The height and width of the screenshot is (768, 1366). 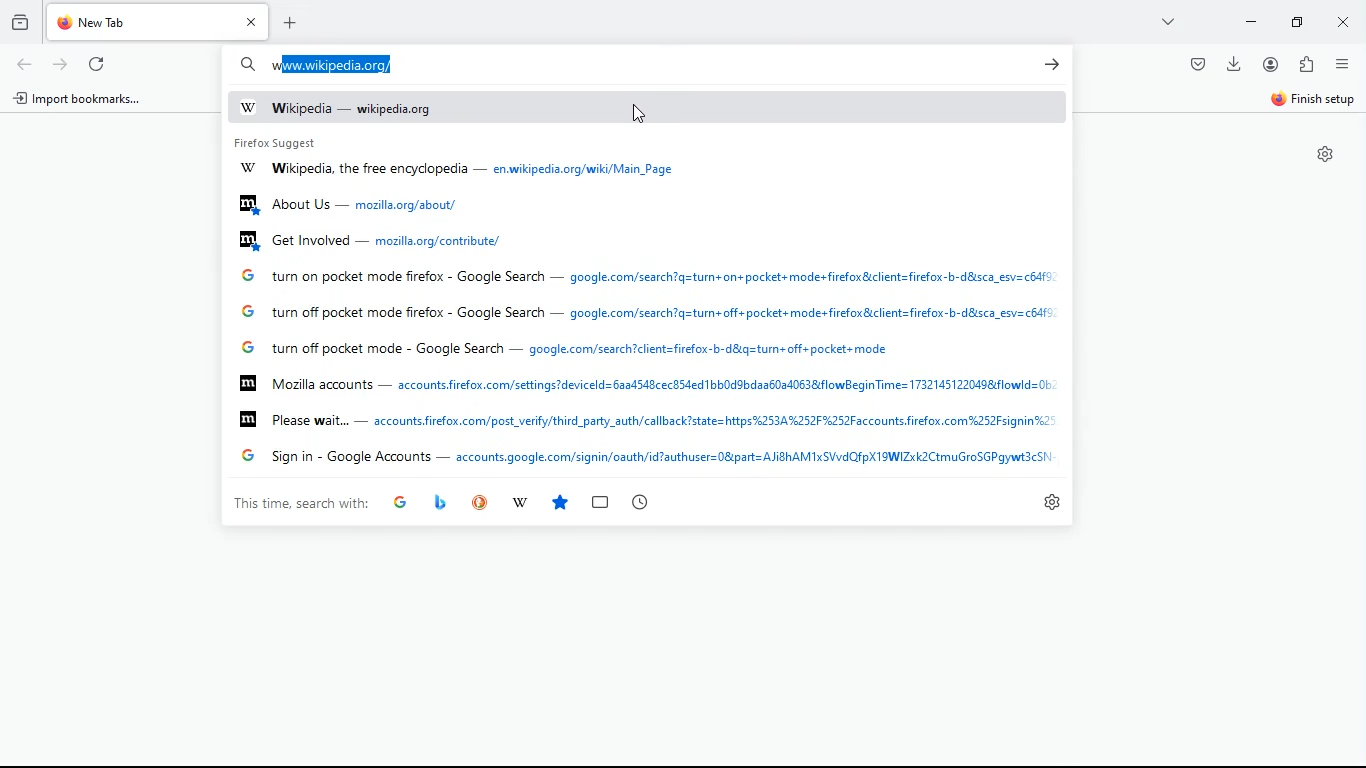 What do you see at coordinates (650, 314) in the screenshot?
I see `firefox suggestions` at bounding box center [650, 314].